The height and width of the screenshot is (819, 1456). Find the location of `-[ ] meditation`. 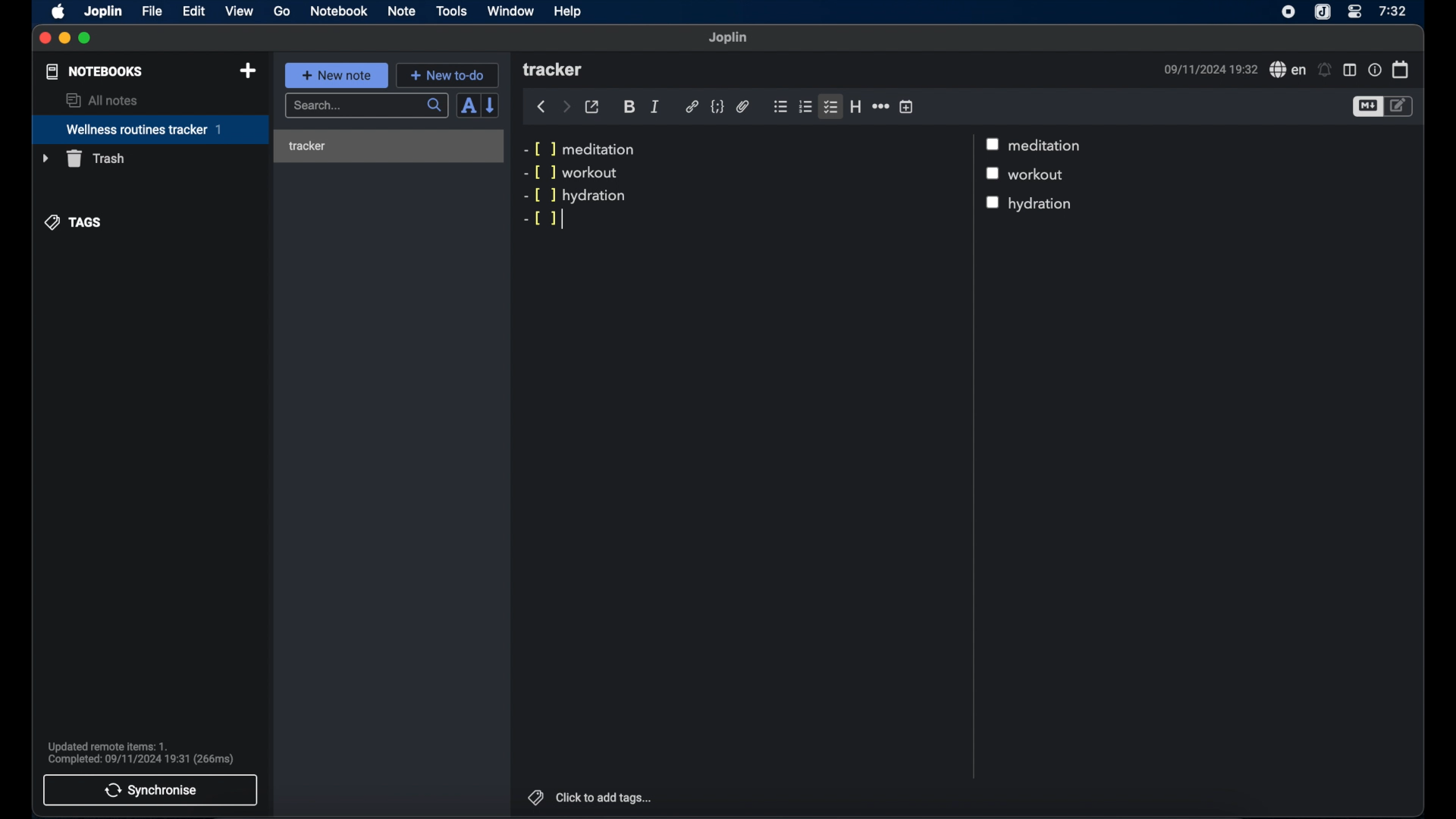

-[ ] meditation is located at coordinates (583, 148).